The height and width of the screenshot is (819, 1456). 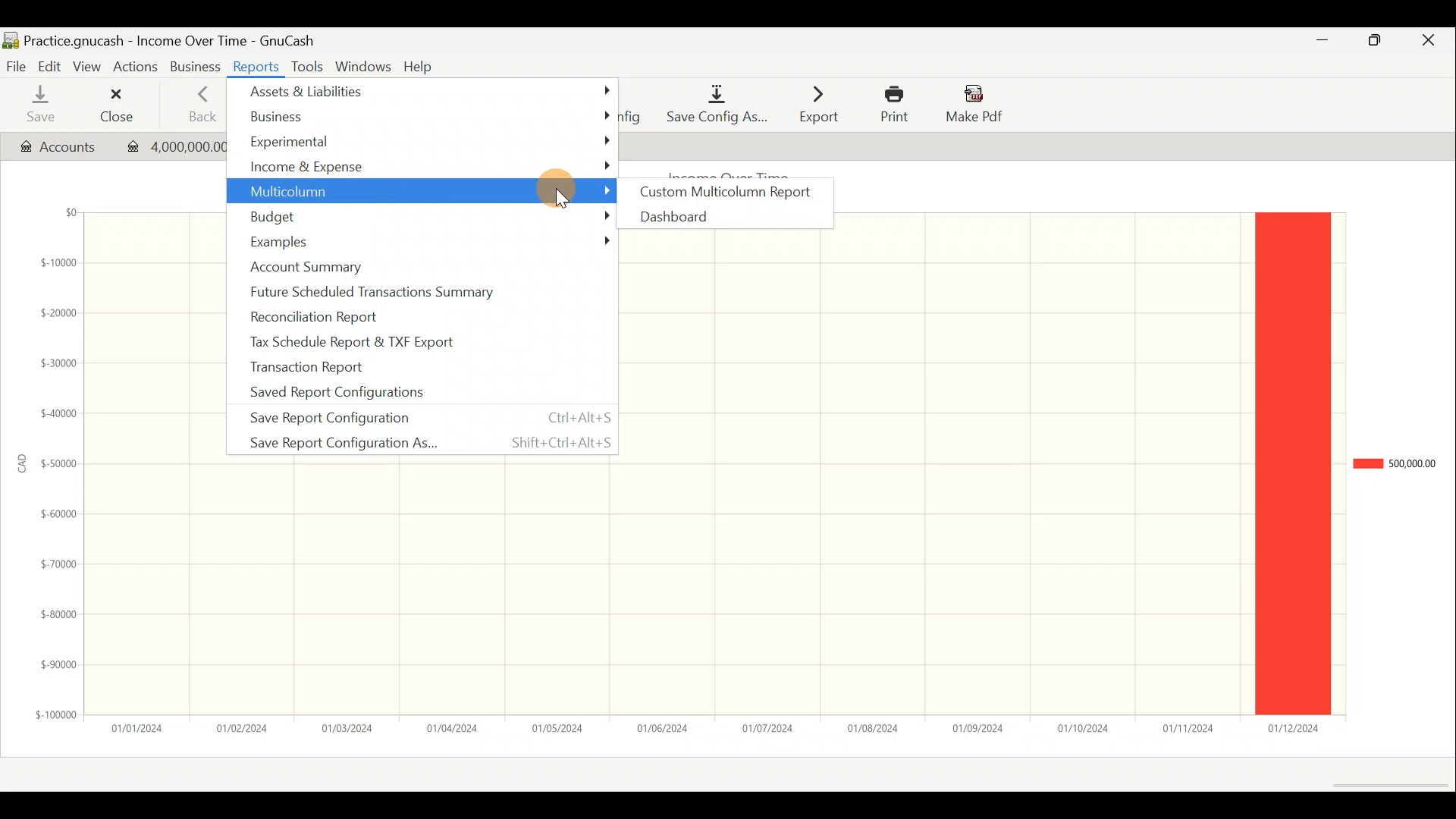 I want to click on Transaction, so click(x=174, y=145).